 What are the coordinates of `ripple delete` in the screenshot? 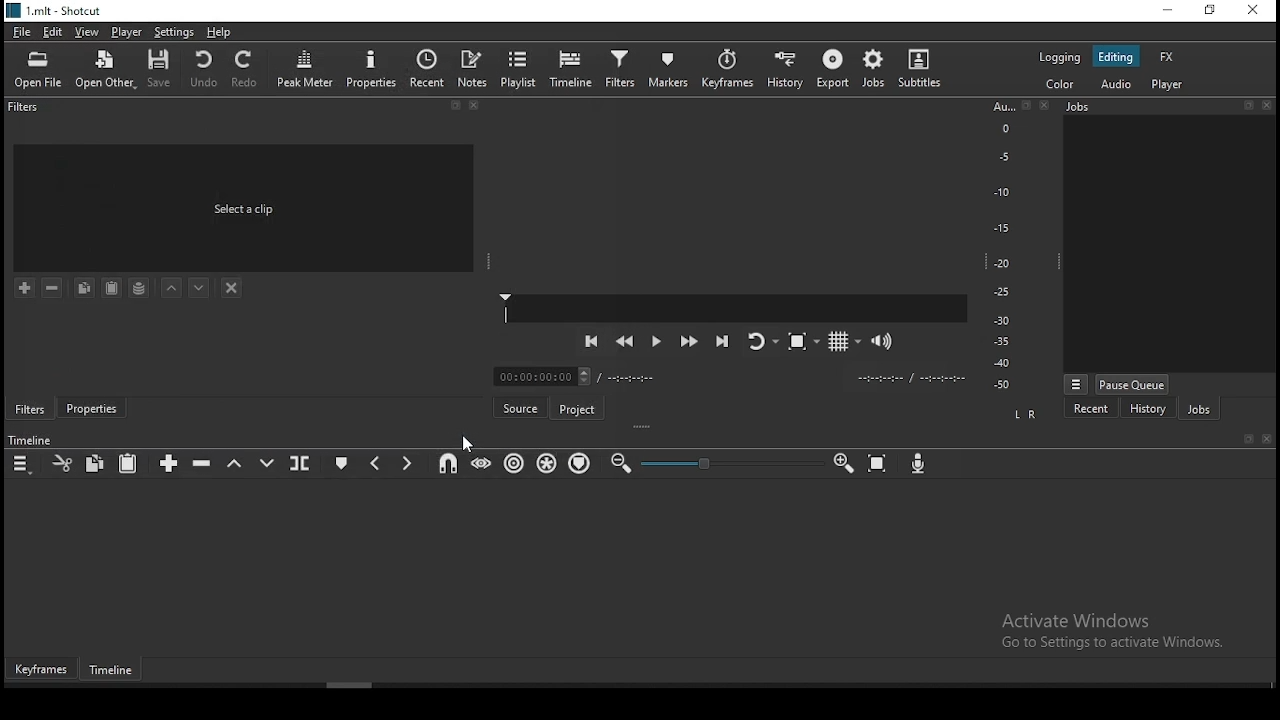 It's located at (202, 465).